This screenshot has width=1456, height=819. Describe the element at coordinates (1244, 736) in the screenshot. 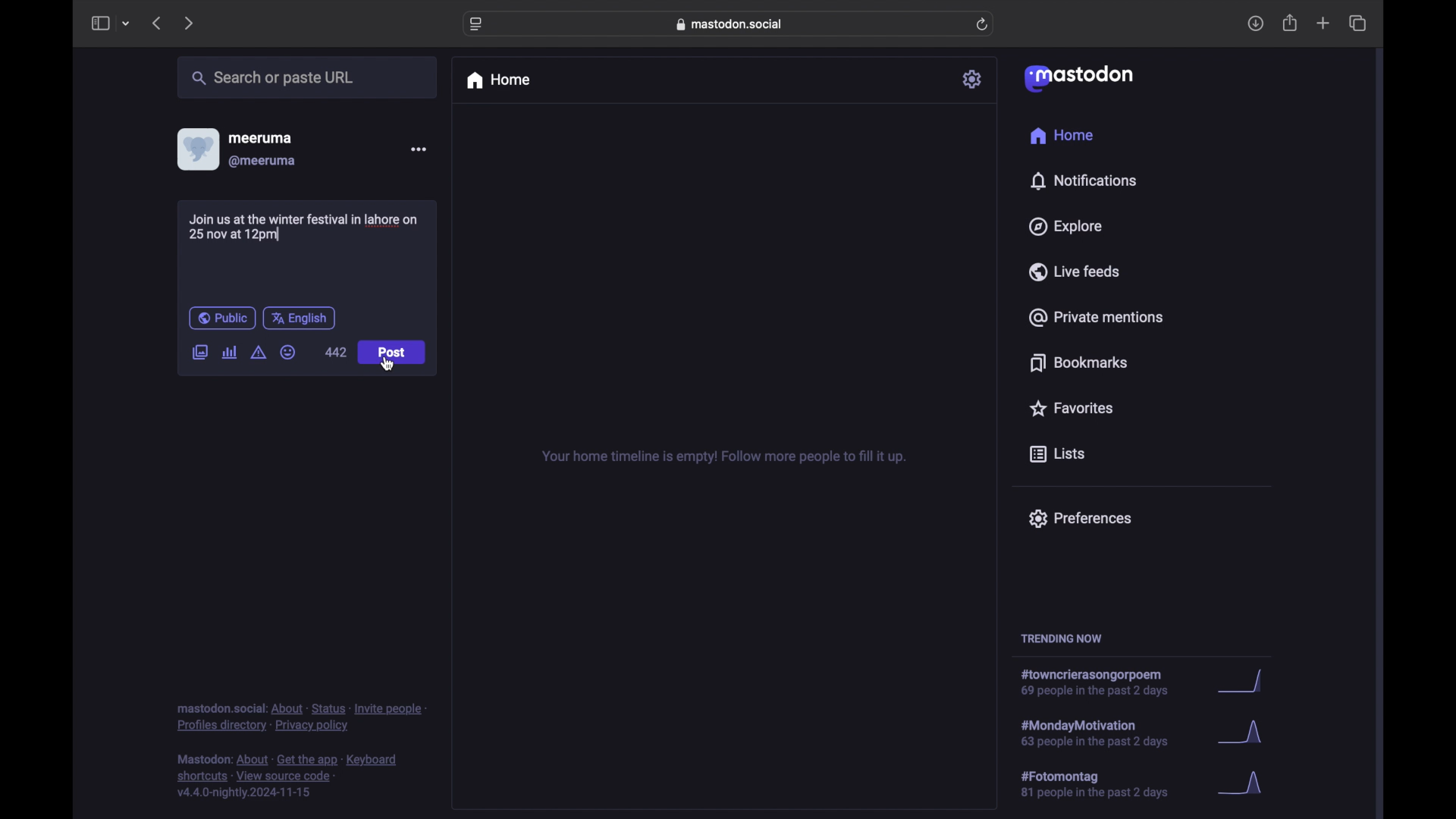

I see `graph` at that location.